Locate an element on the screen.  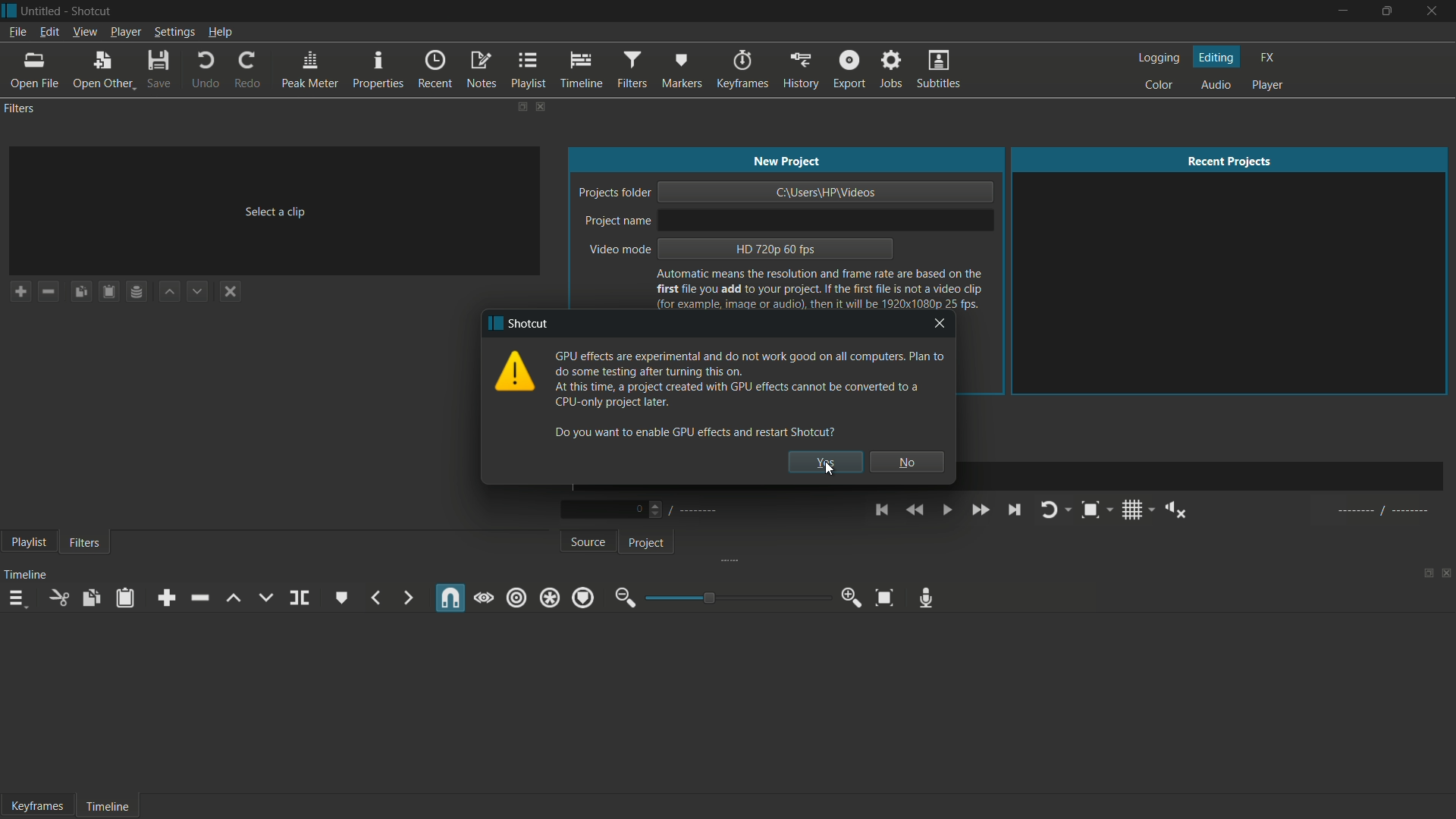
append is located at coordinates (166, 599).